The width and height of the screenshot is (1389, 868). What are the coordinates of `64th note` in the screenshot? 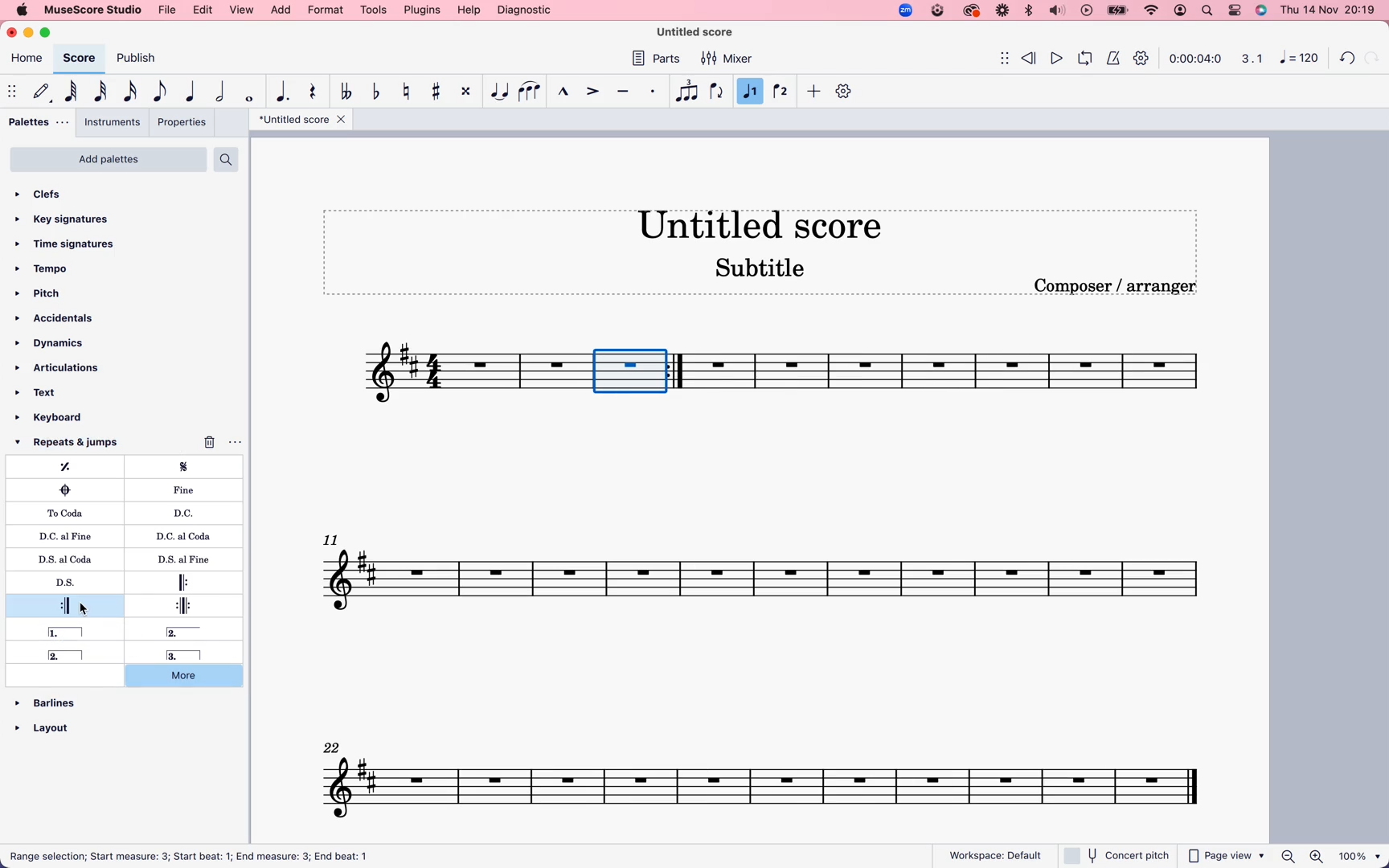 It's located at (74, 91).